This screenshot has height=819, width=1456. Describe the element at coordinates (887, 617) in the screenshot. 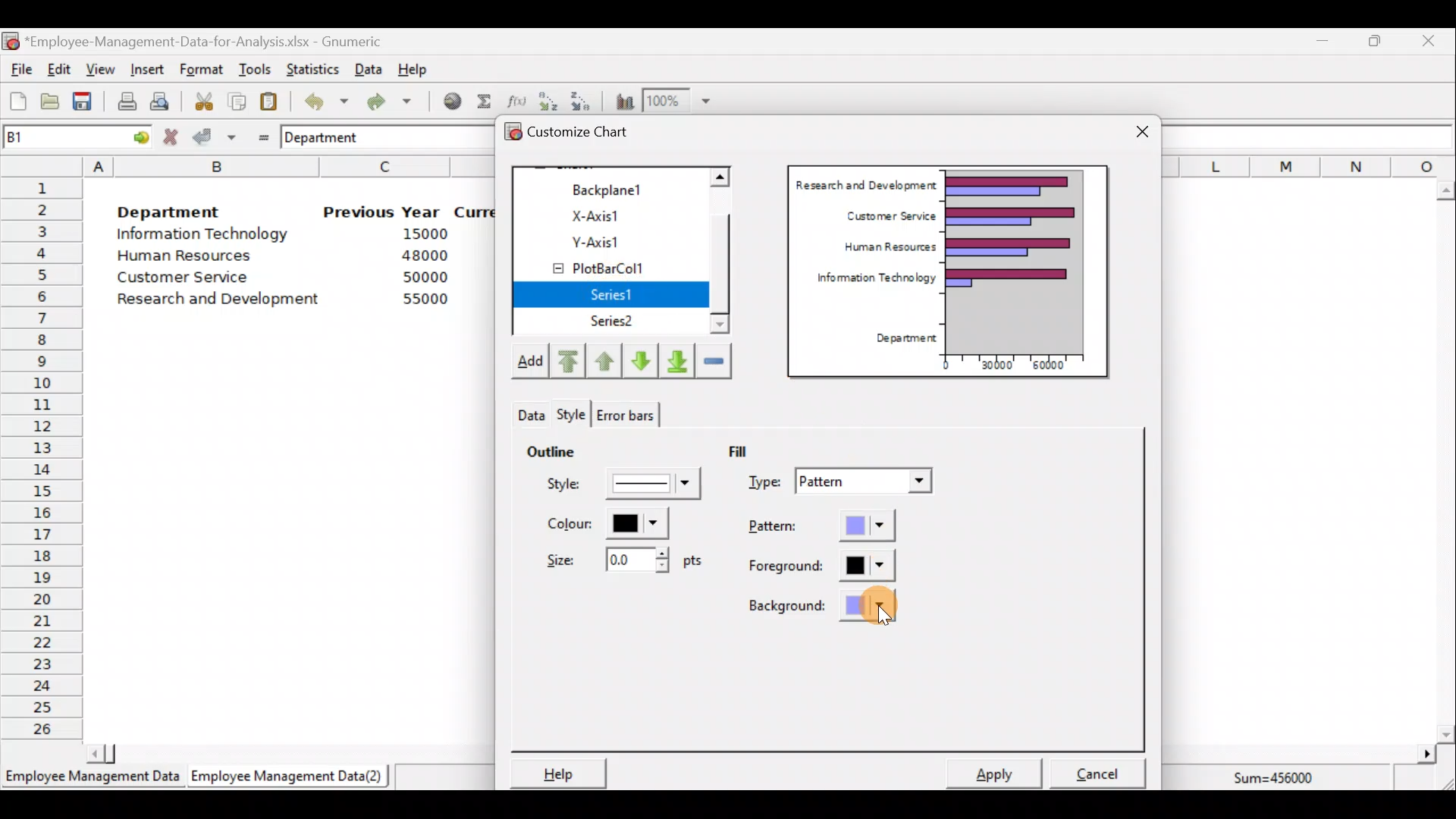

I see `Cursor on background` at that location.